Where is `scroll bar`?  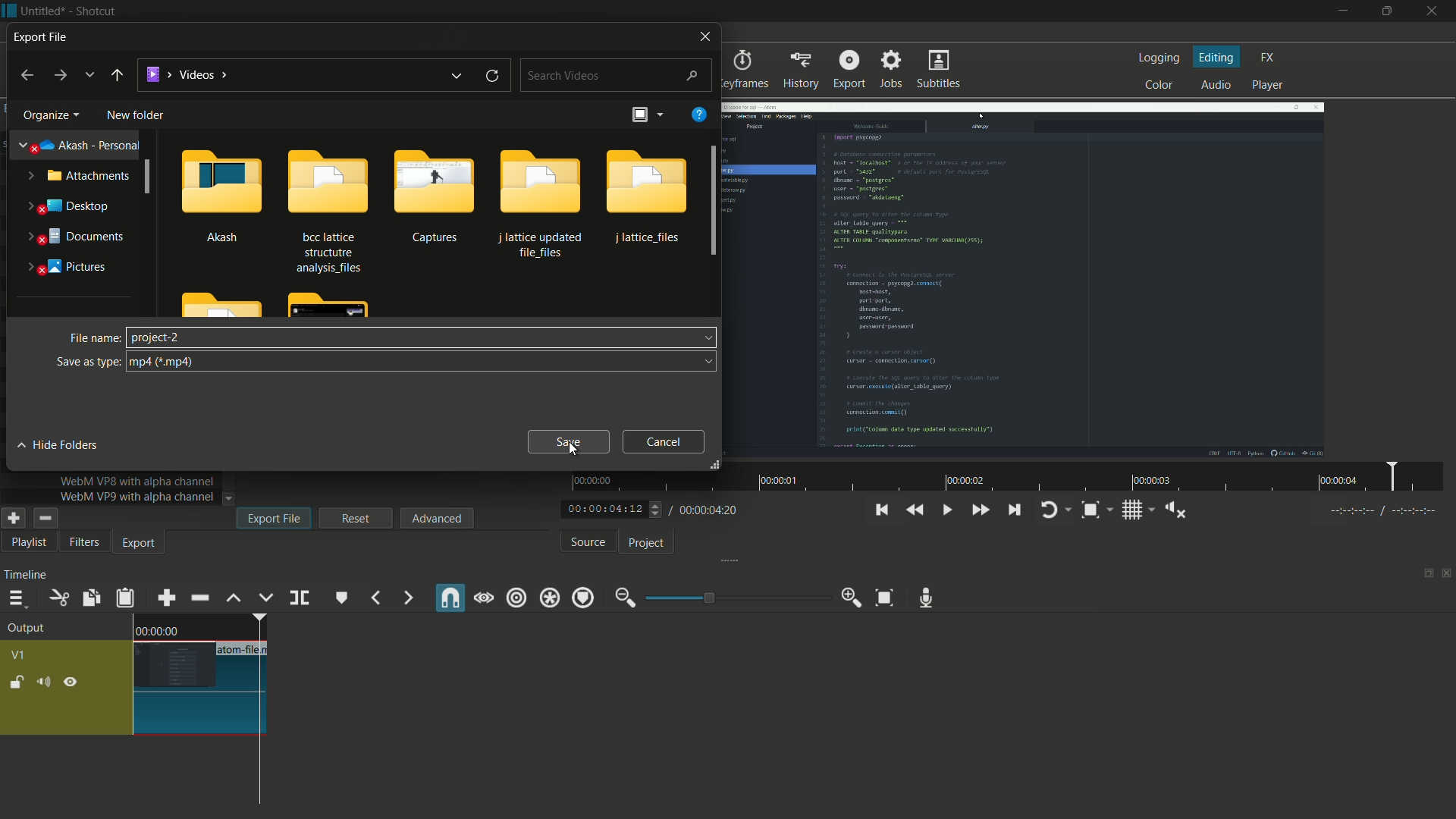 scroll bar is located at coordinates (708, 201).